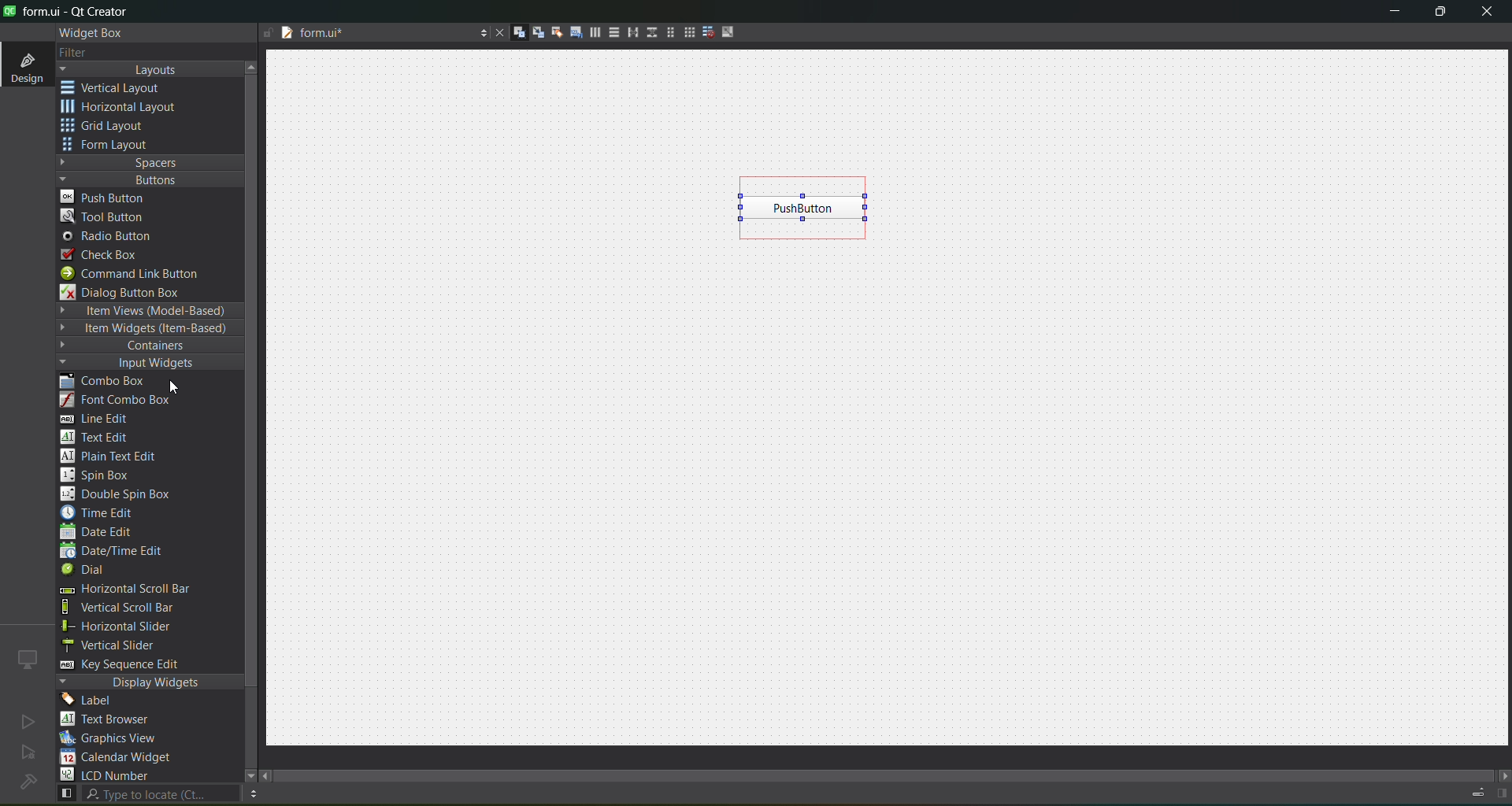 This screenshot has height=806, width=1512. What do you see at coordinates (121, 401) in the screenshot?
I see `font combo box` at bounding box center [121, 401].